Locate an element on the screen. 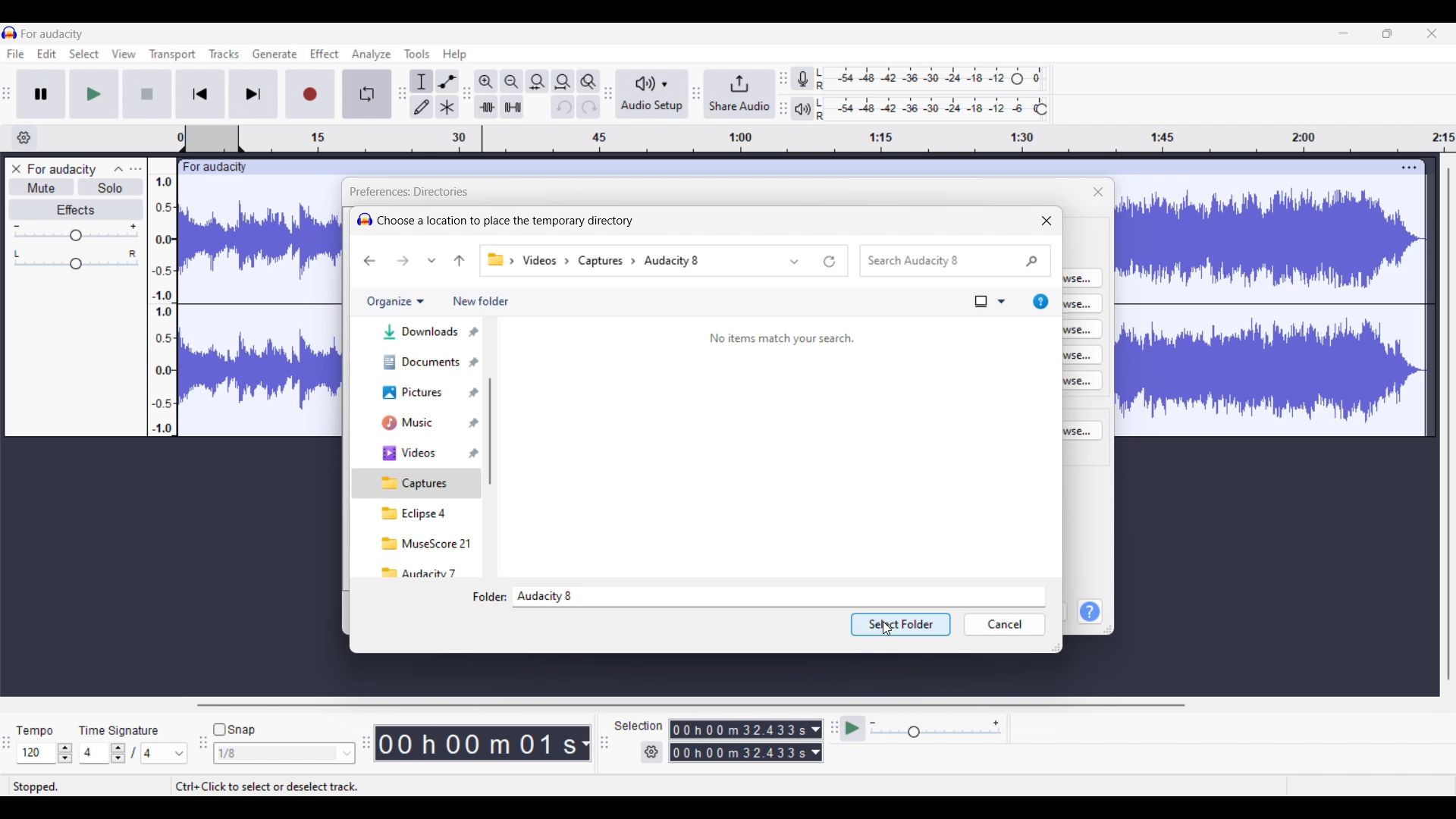 This screenshot has width=1456, height=819. Edit menu is located at coordinates (47, 54).